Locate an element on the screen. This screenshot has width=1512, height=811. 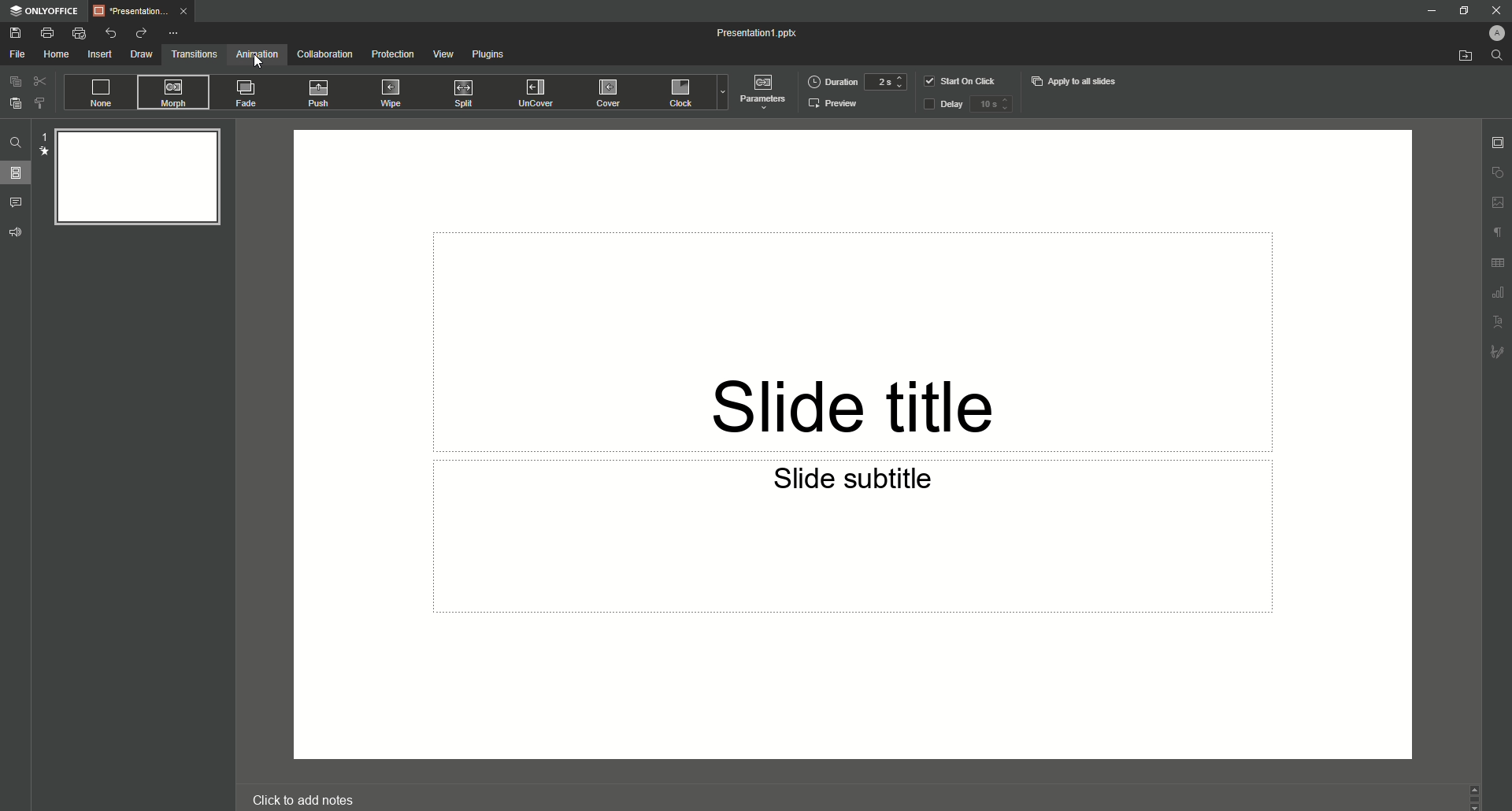
Slide title is located at coordinates (853, 387).